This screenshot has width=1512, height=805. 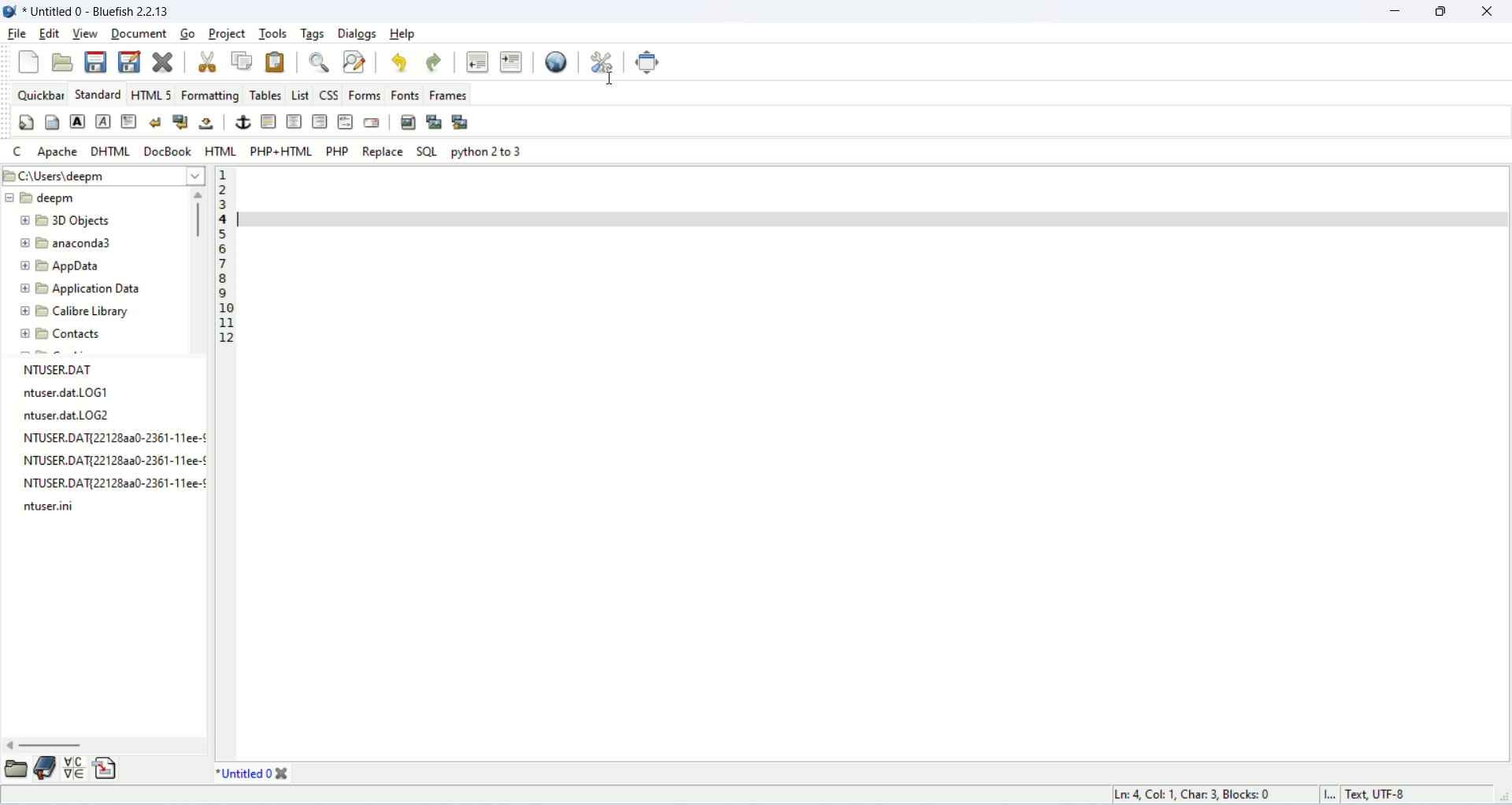 I want to click on unindent, so click(x=478, y=61).